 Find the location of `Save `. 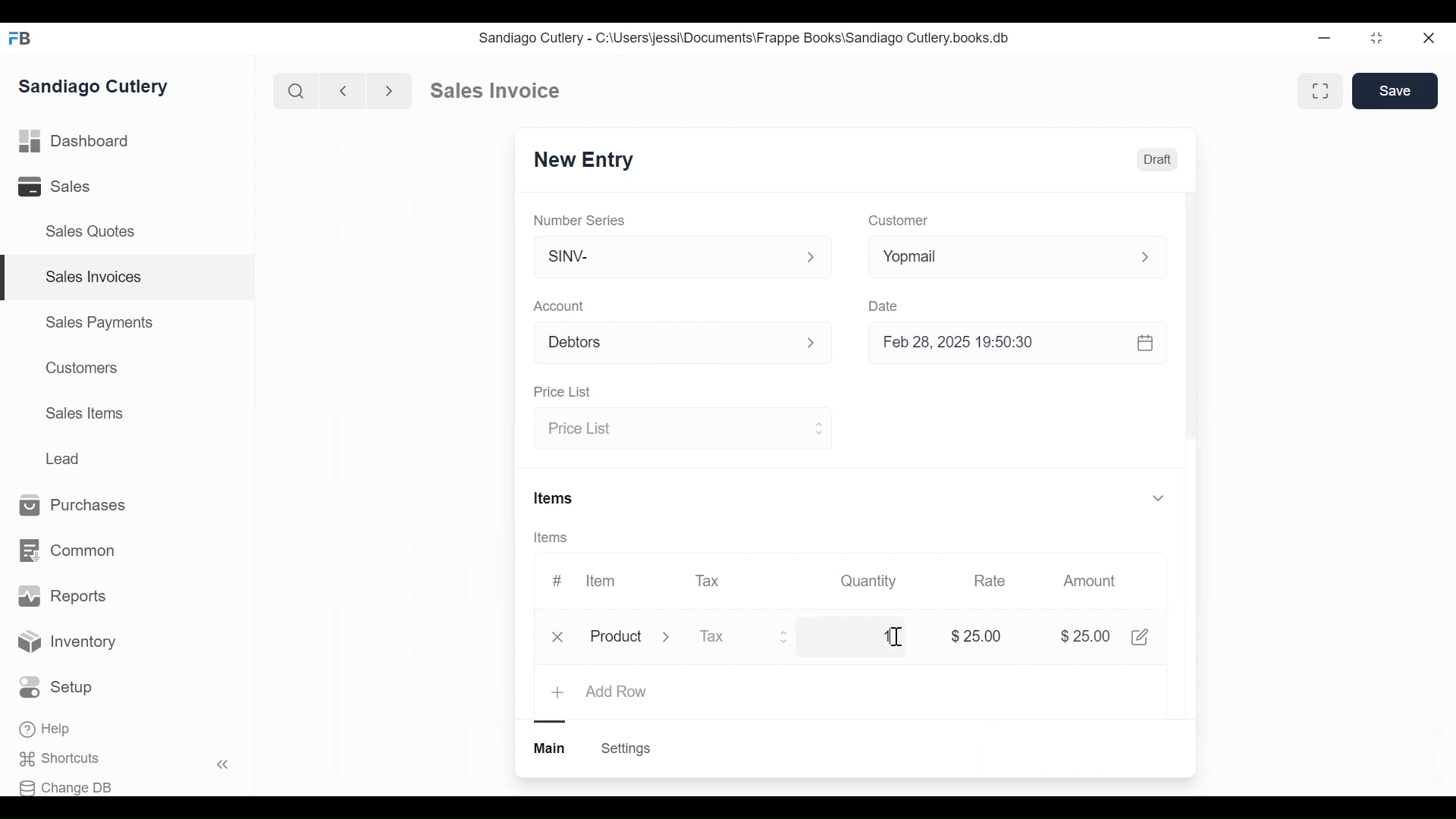

Save  is located at coordinates (1395, 91).